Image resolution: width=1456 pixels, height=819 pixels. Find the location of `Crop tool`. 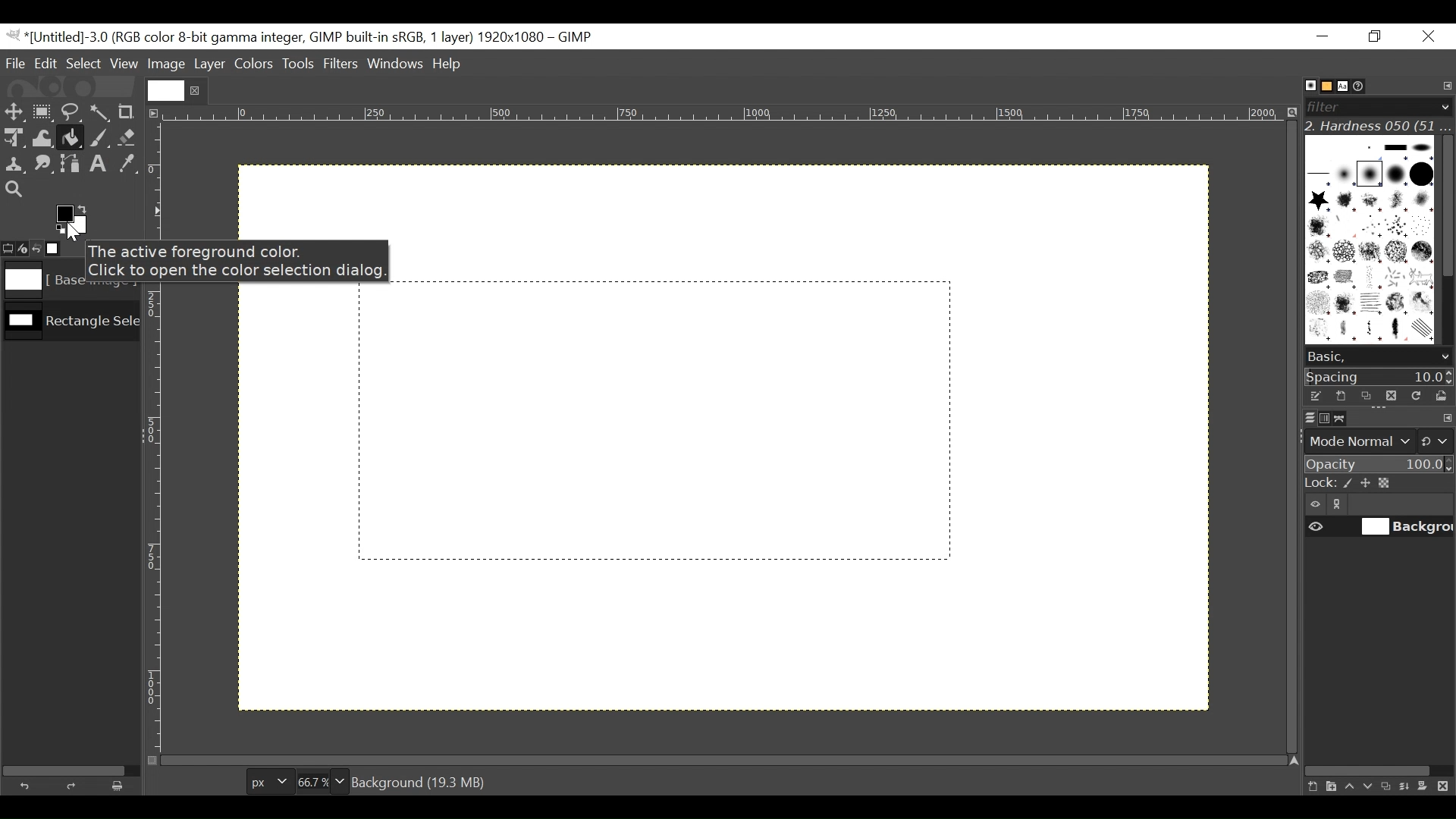

Crop tool is located at coordinates (133, 111).